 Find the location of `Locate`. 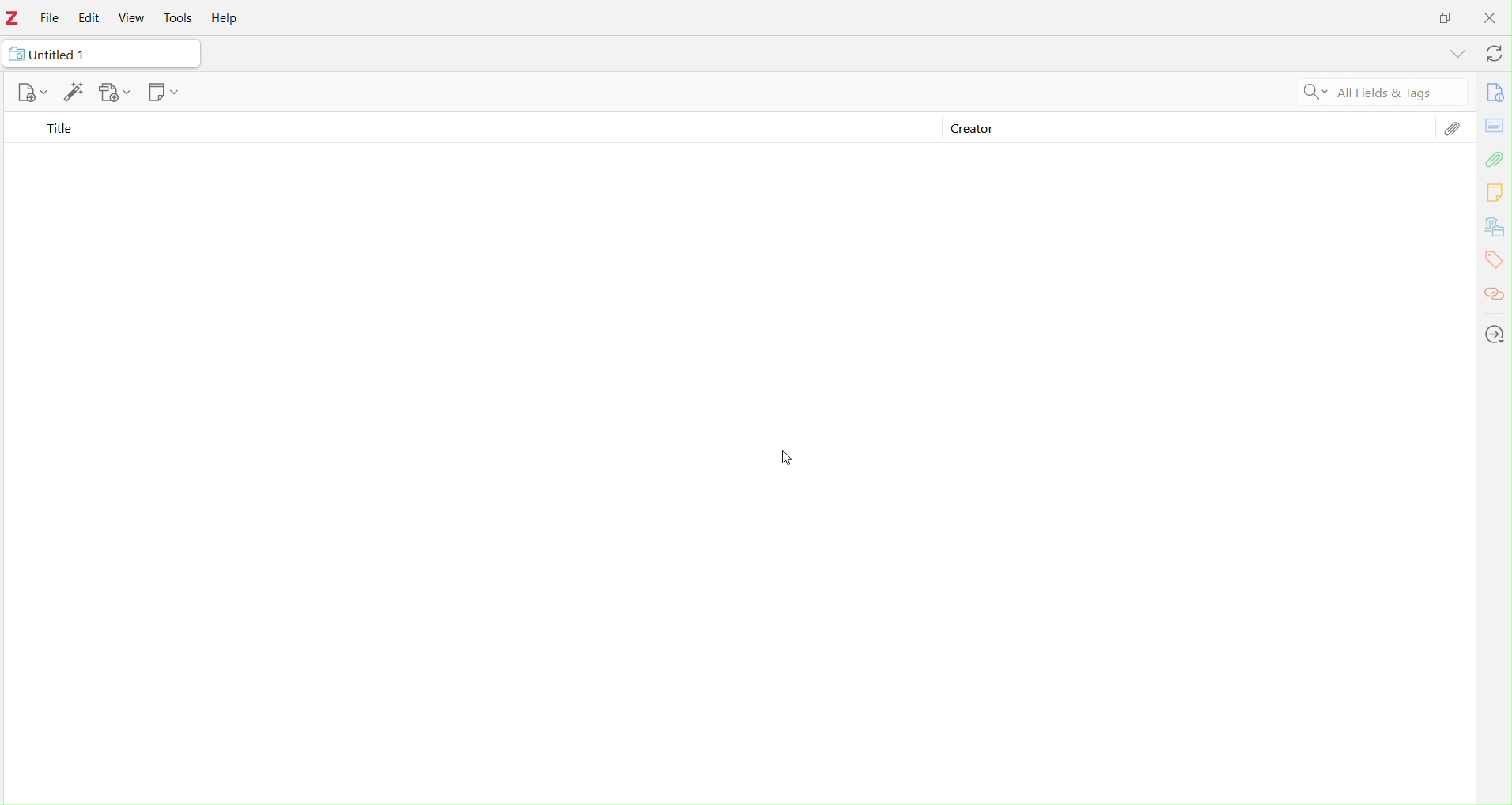

Locate is located at coordinates (1496, 334).